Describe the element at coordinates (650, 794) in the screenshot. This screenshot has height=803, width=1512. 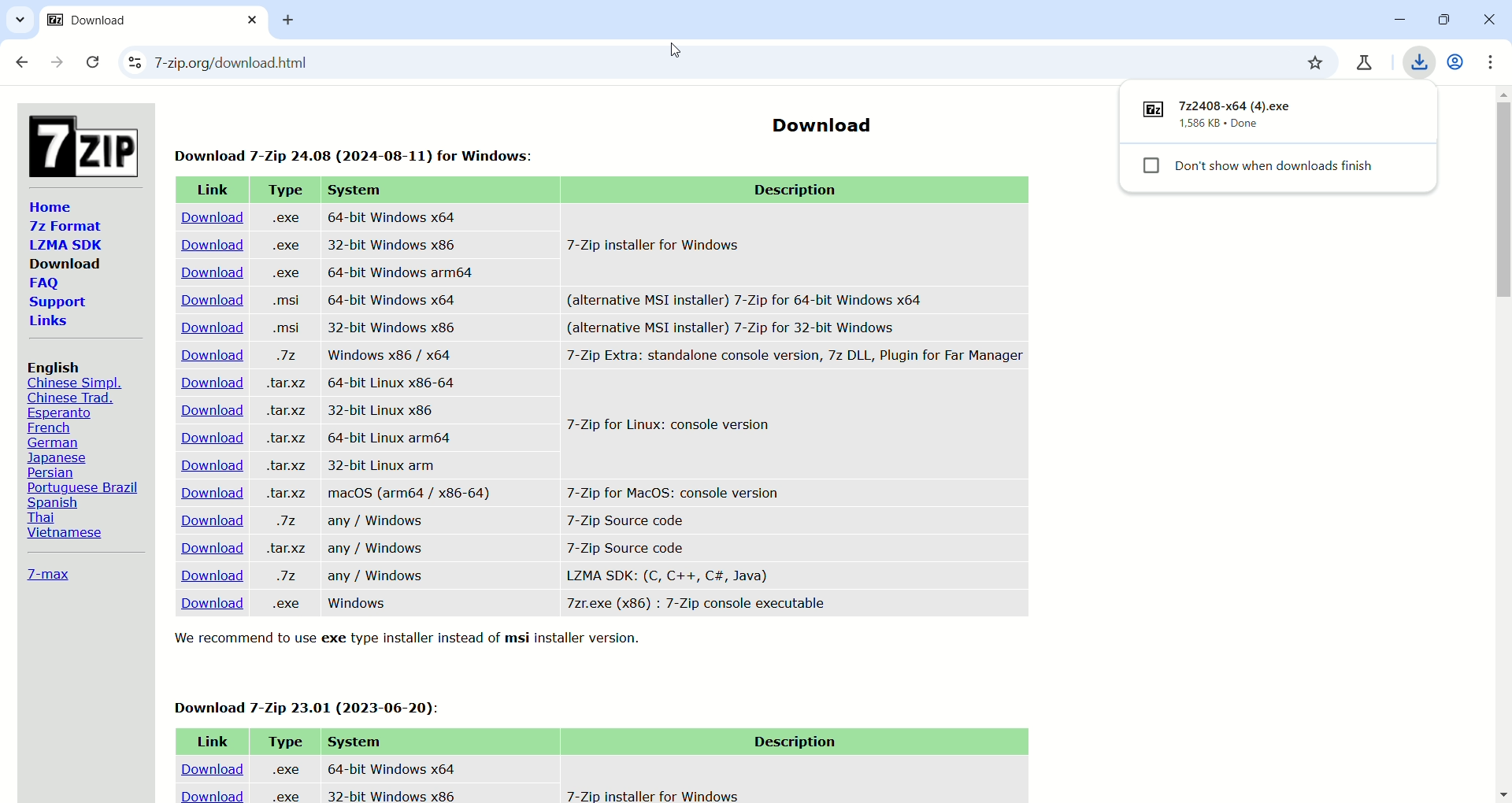
I see `7 zip installer for windows` at that location.